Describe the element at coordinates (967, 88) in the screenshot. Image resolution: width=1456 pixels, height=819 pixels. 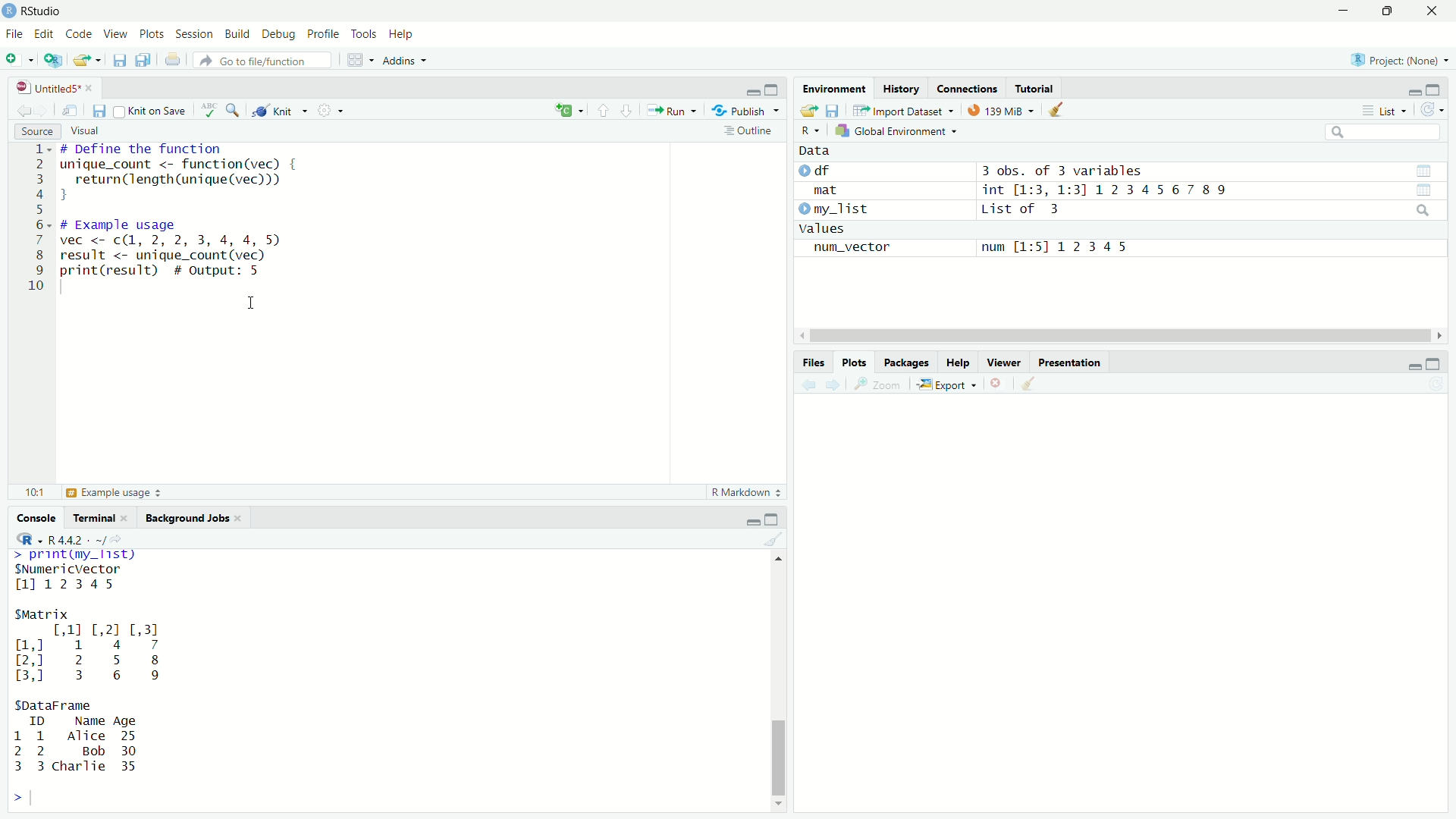
I see `connections` at that location.